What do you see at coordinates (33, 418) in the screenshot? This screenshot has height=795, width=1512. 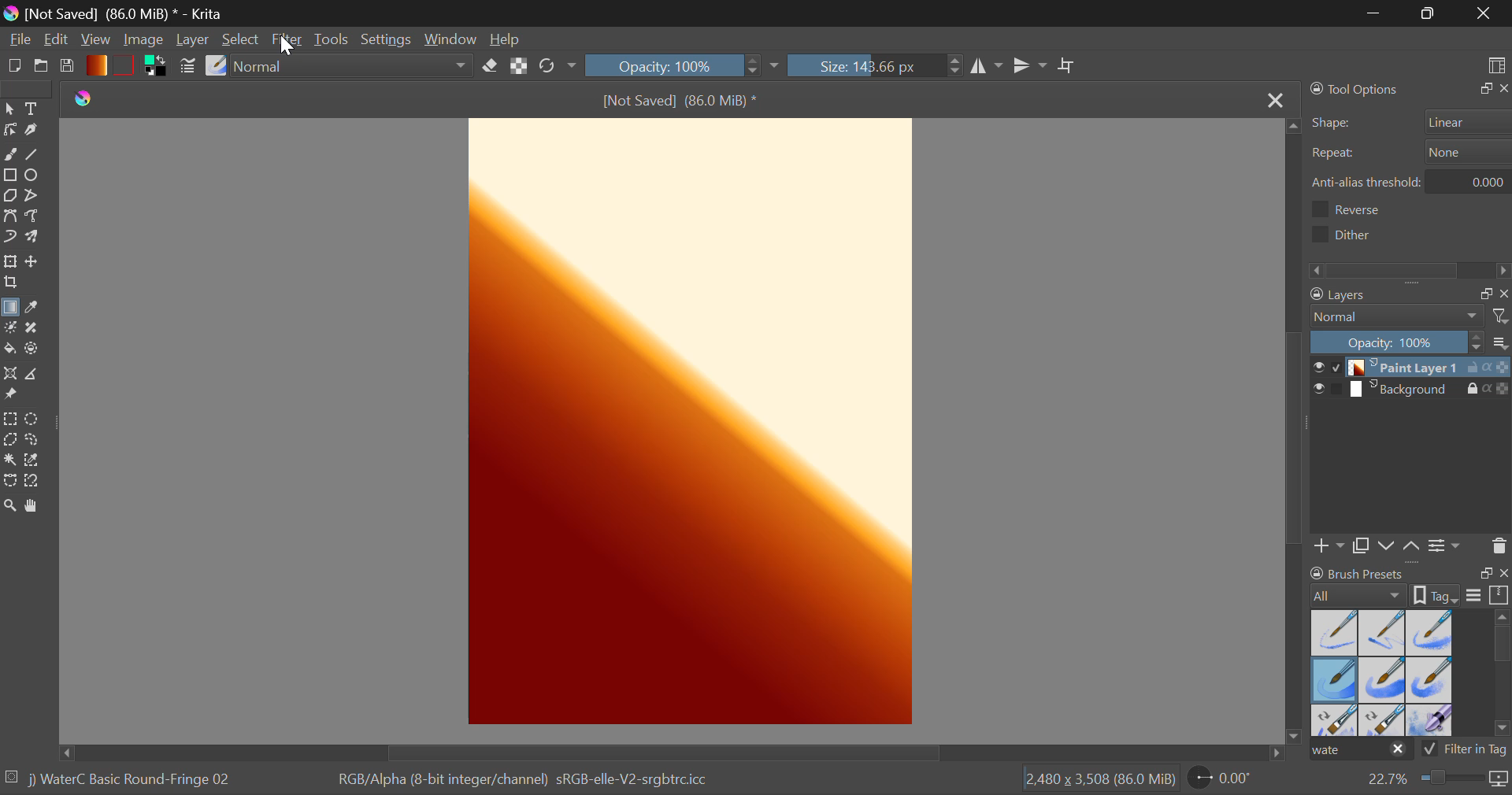 I see `Circular Selection` at bounding box center [33, 418].